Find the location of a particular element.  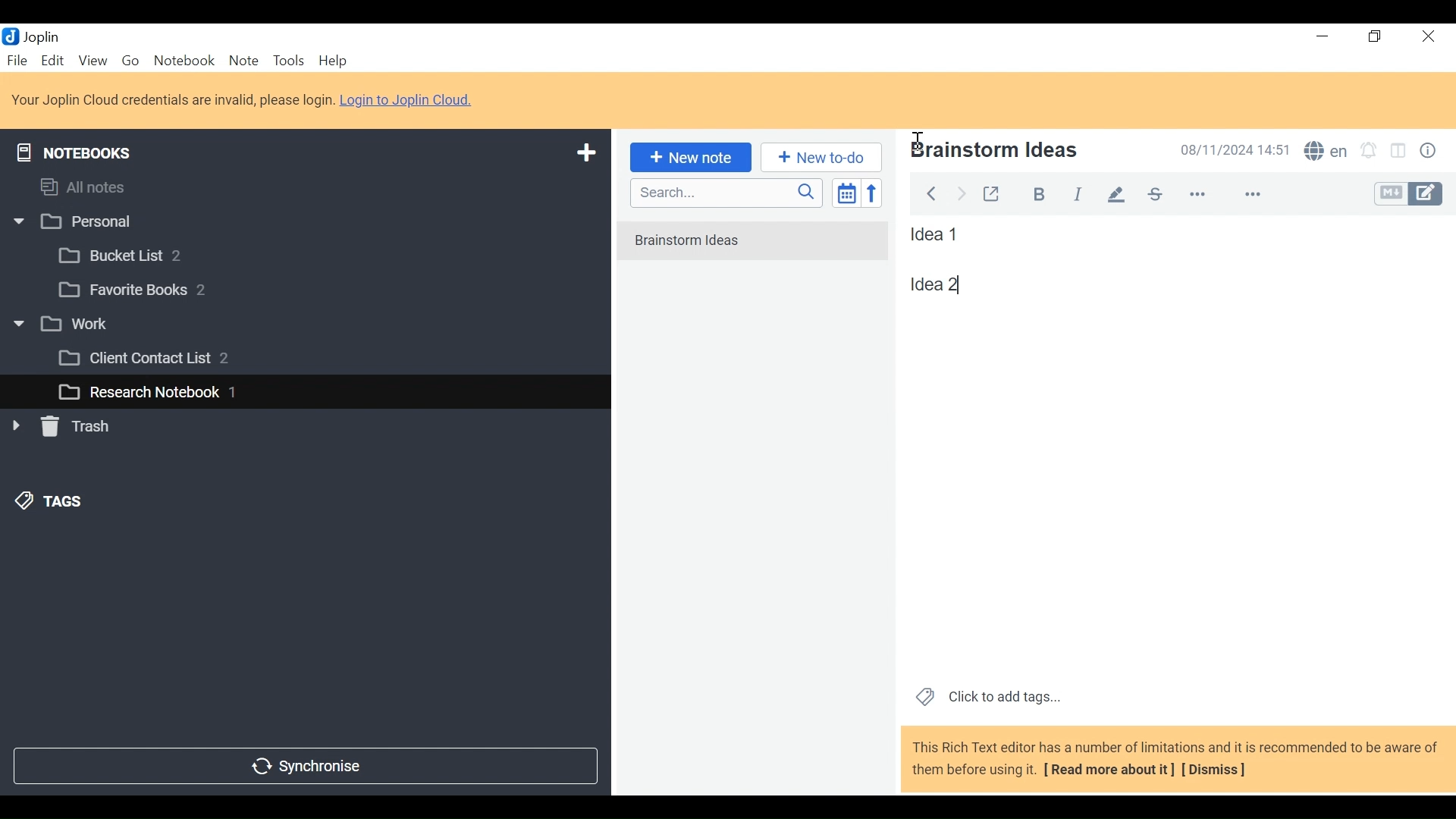

[3 Client Contact List 2 is located at coordinates (166, 362).